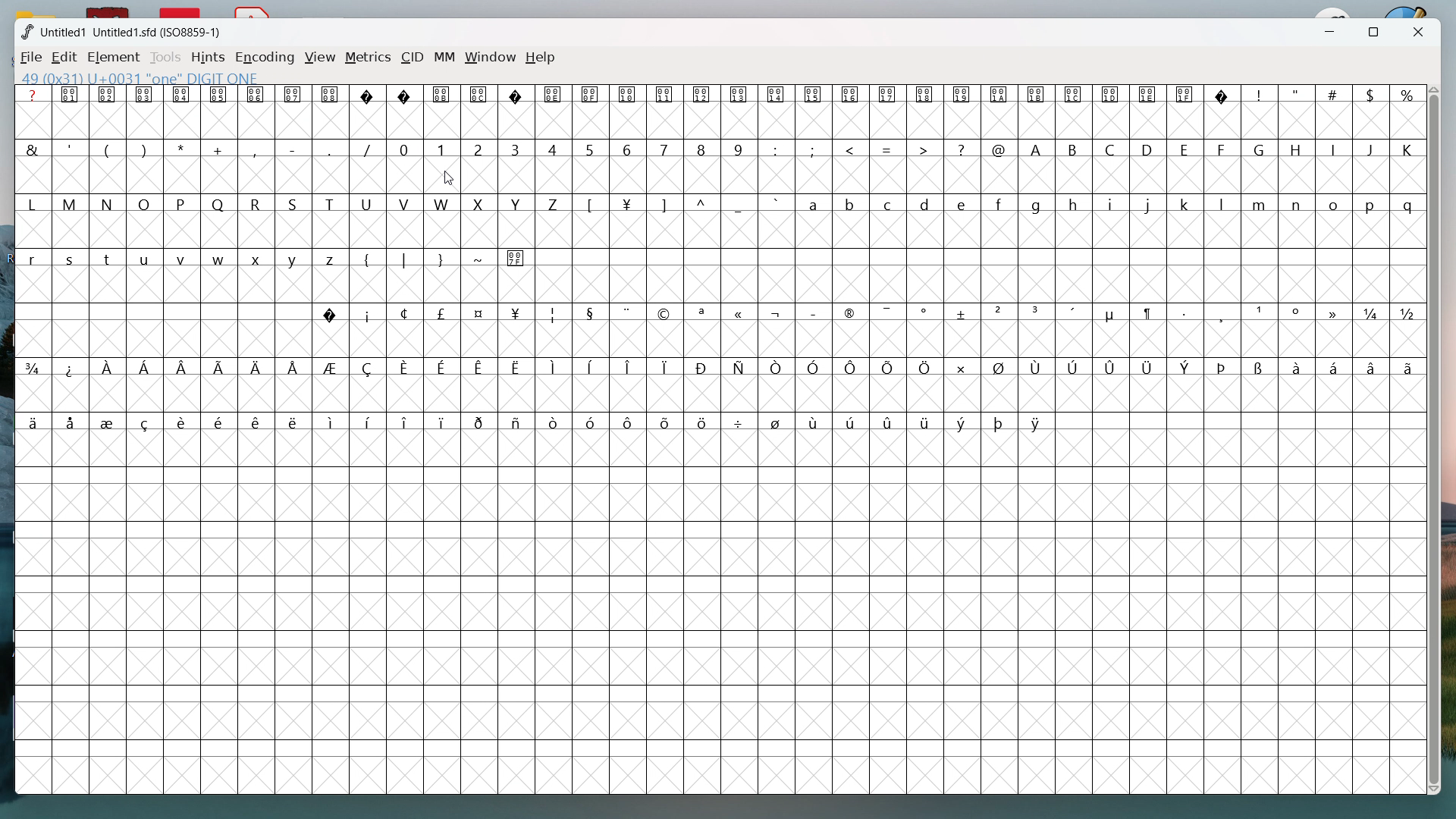 The image size is (1456, 819). What do you see at coordinates (1433, 439) in the screenshot?
I see `vertical scrollbar` at bounding box center [1433, 439].